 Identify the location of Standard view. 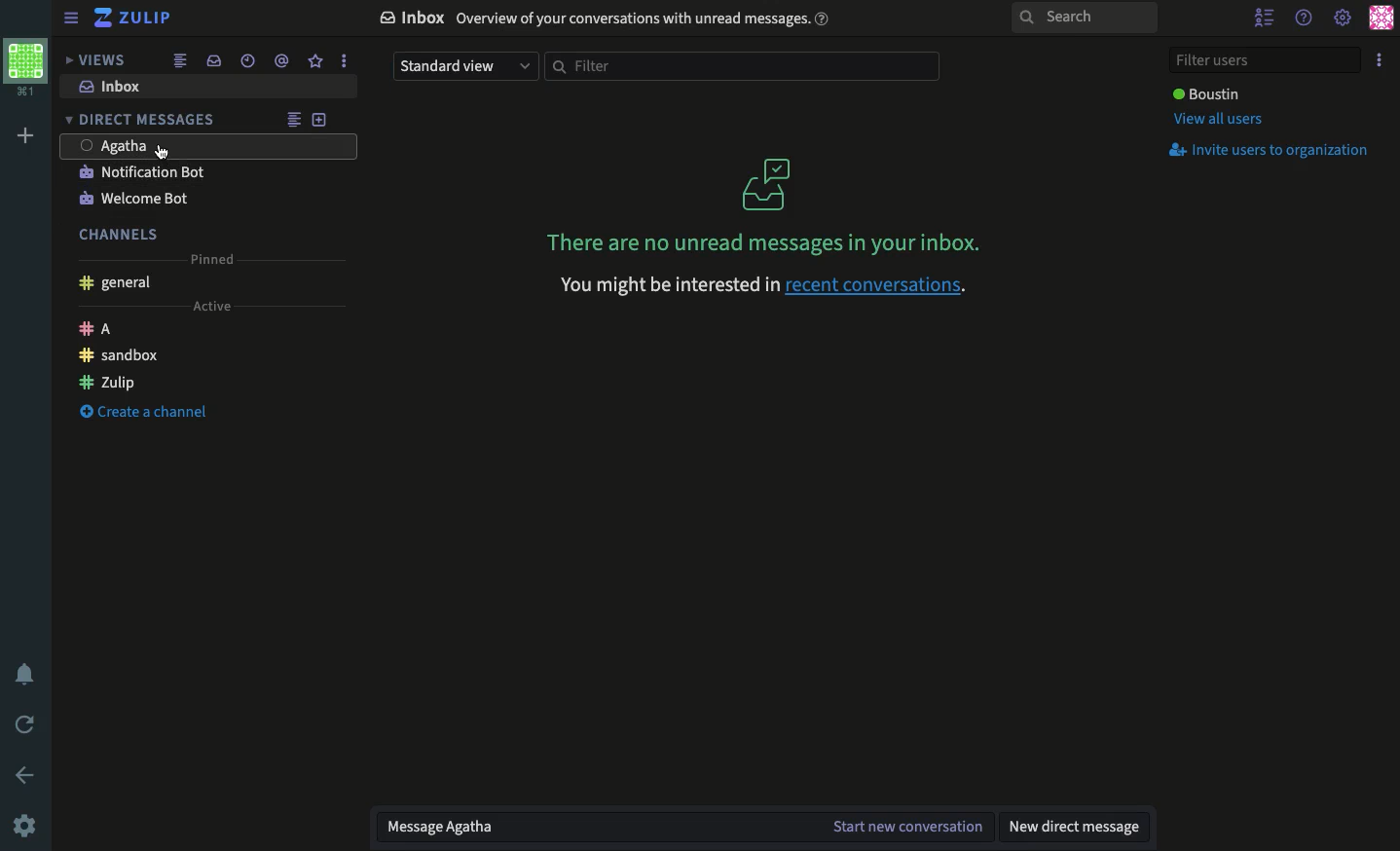
(461, 68).